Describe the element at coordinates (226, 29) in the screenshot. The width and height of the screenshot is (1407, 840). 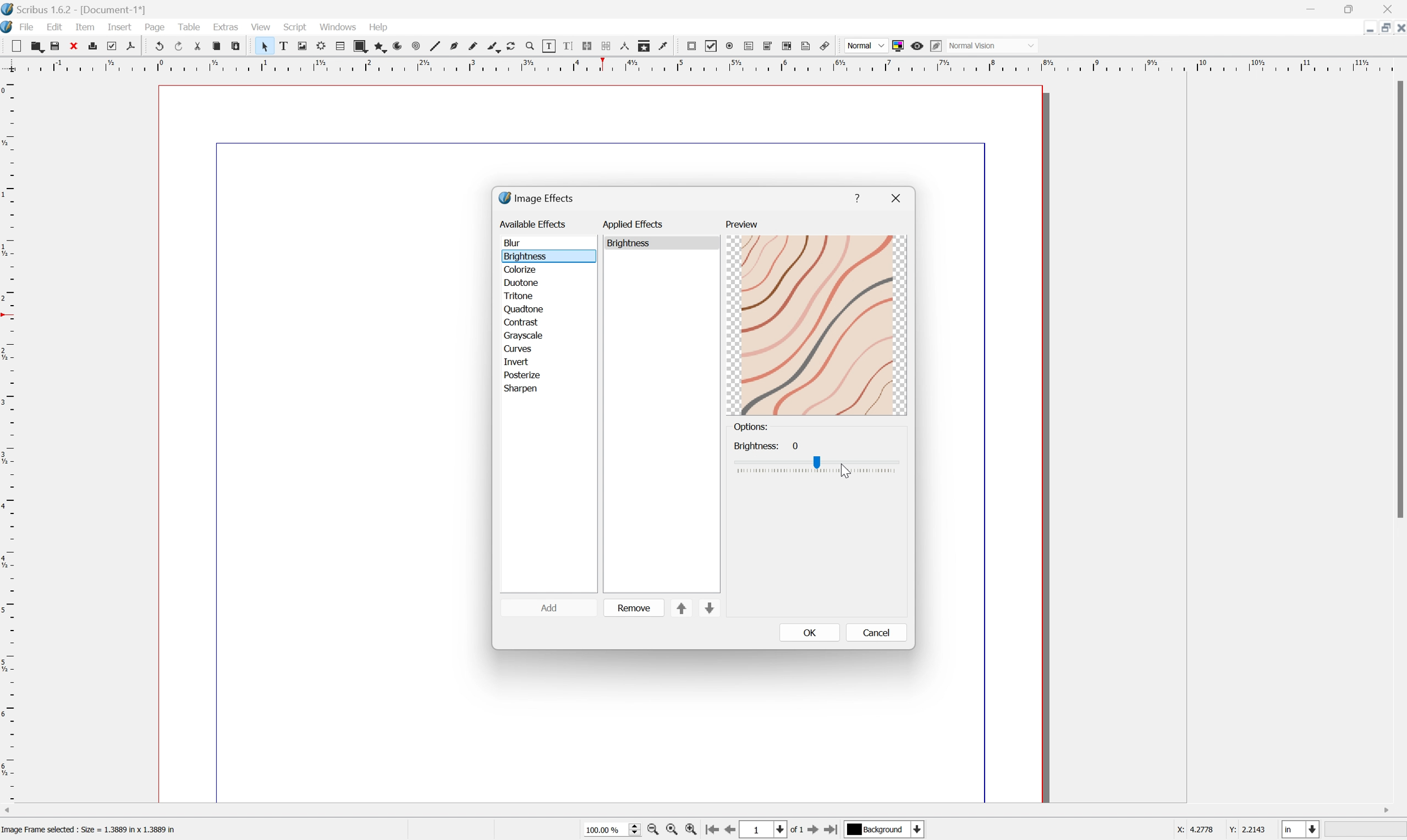
I see `Extras` at that location.